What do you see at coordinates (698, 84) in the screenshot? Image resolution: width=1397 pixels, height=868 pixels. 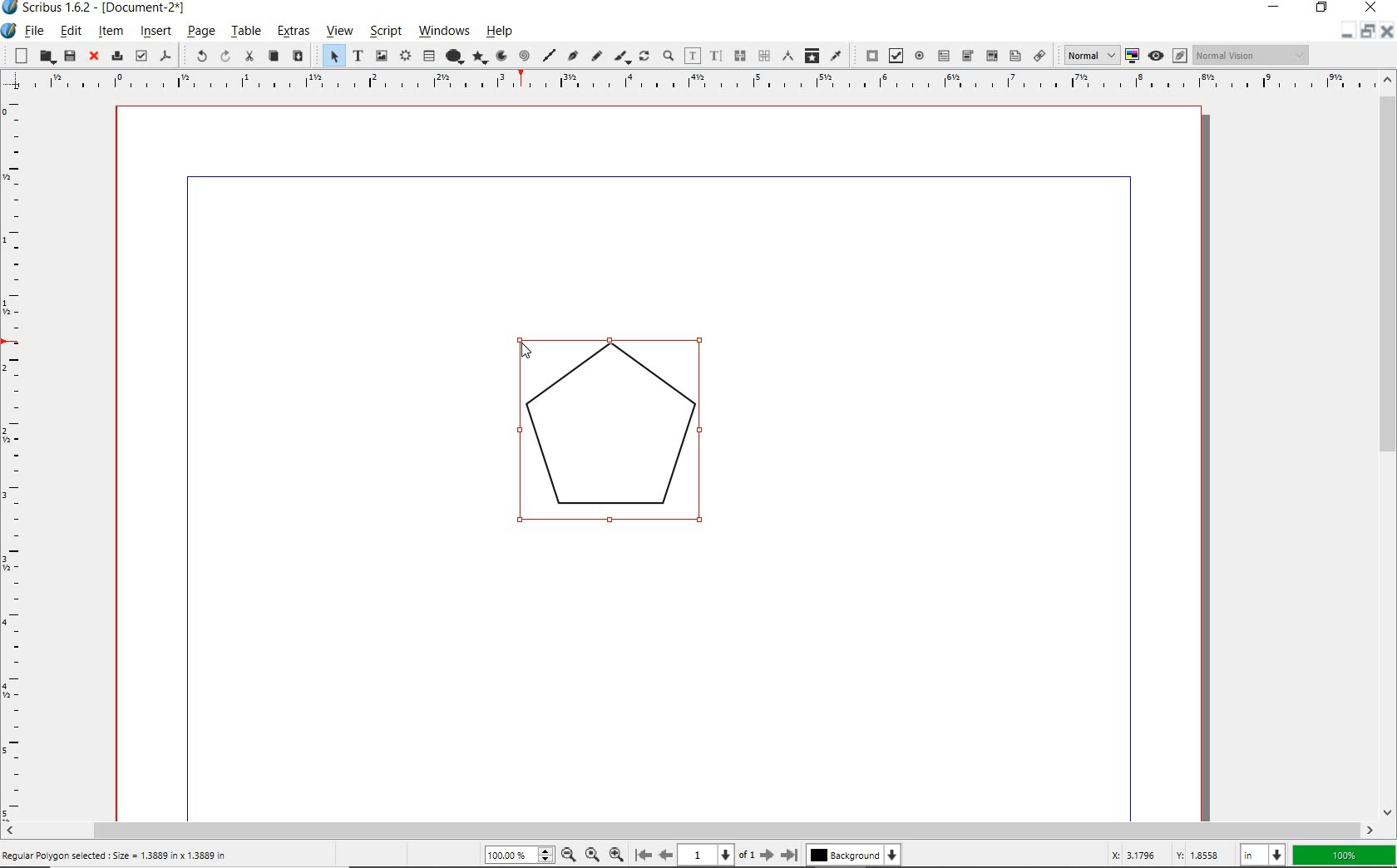 I see `ruler` at bounding box center [698, 84].